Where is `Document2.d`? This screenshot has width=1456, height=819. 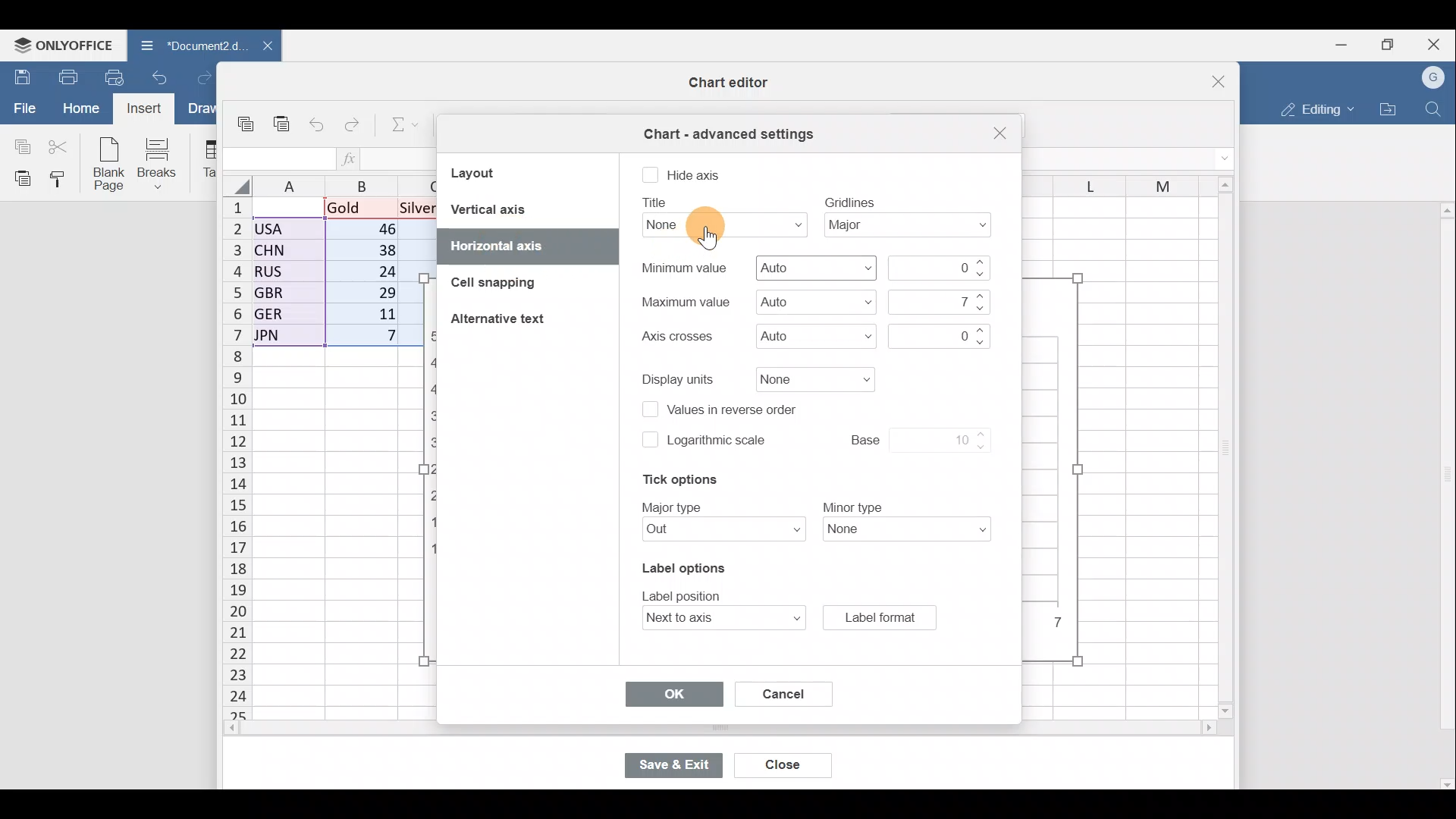
Document2.d is located at coordinates (184, 45).